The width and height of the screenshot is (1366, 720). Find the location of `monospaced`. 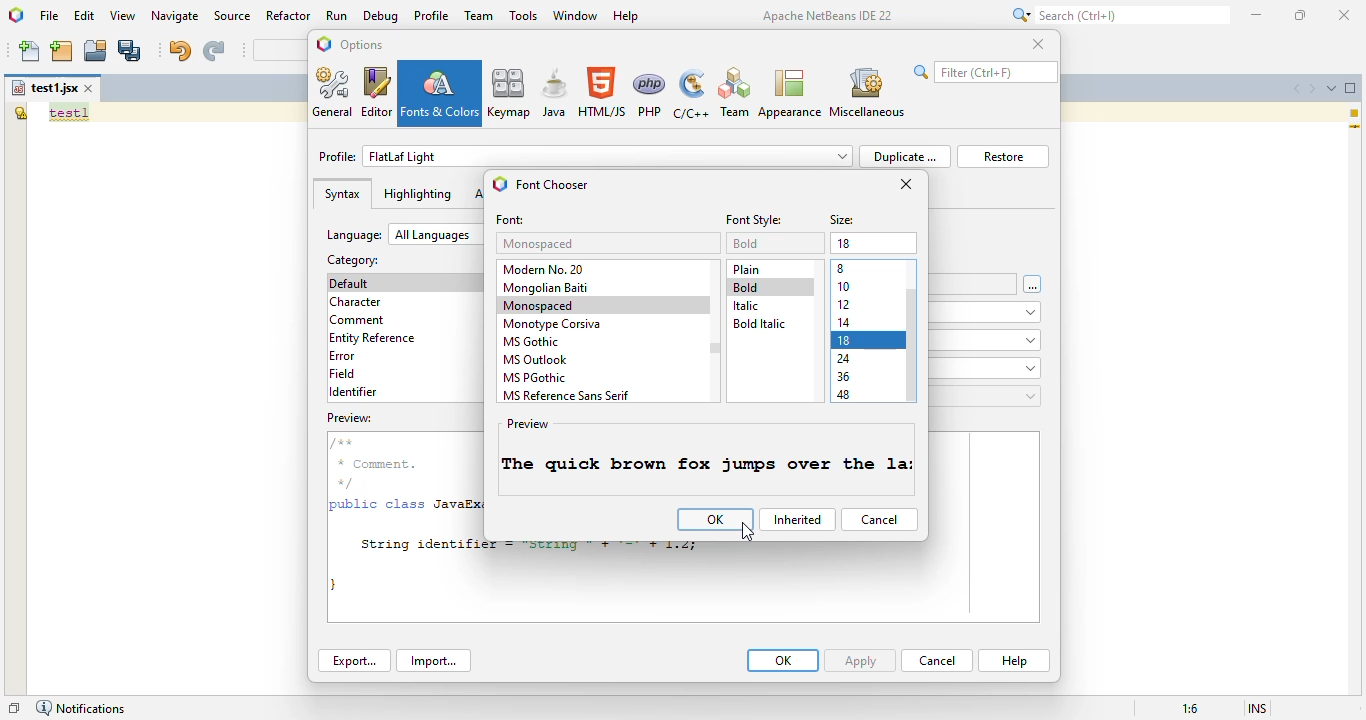

monospaced is located at coordinates (539, 305).